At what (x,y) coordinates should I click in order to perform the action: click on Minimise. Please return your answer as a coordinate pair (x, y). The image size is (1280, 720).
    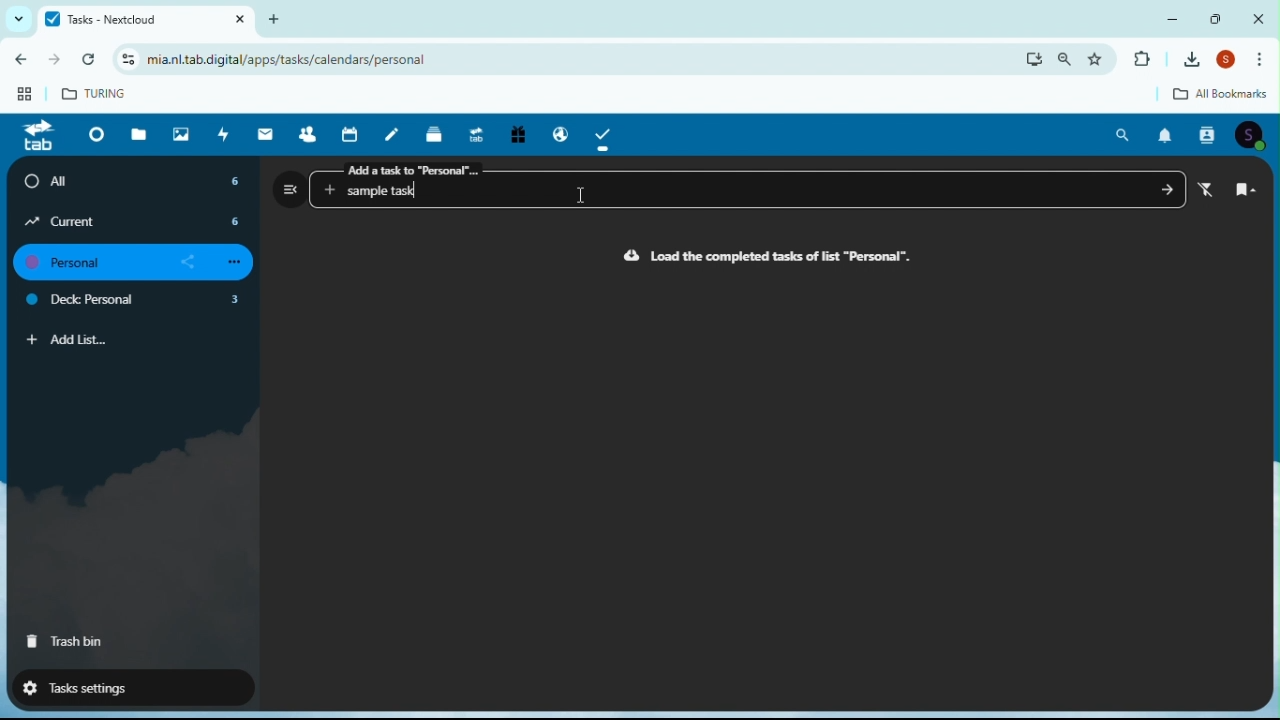
    Looking at the image, I should click on (1177, 18).